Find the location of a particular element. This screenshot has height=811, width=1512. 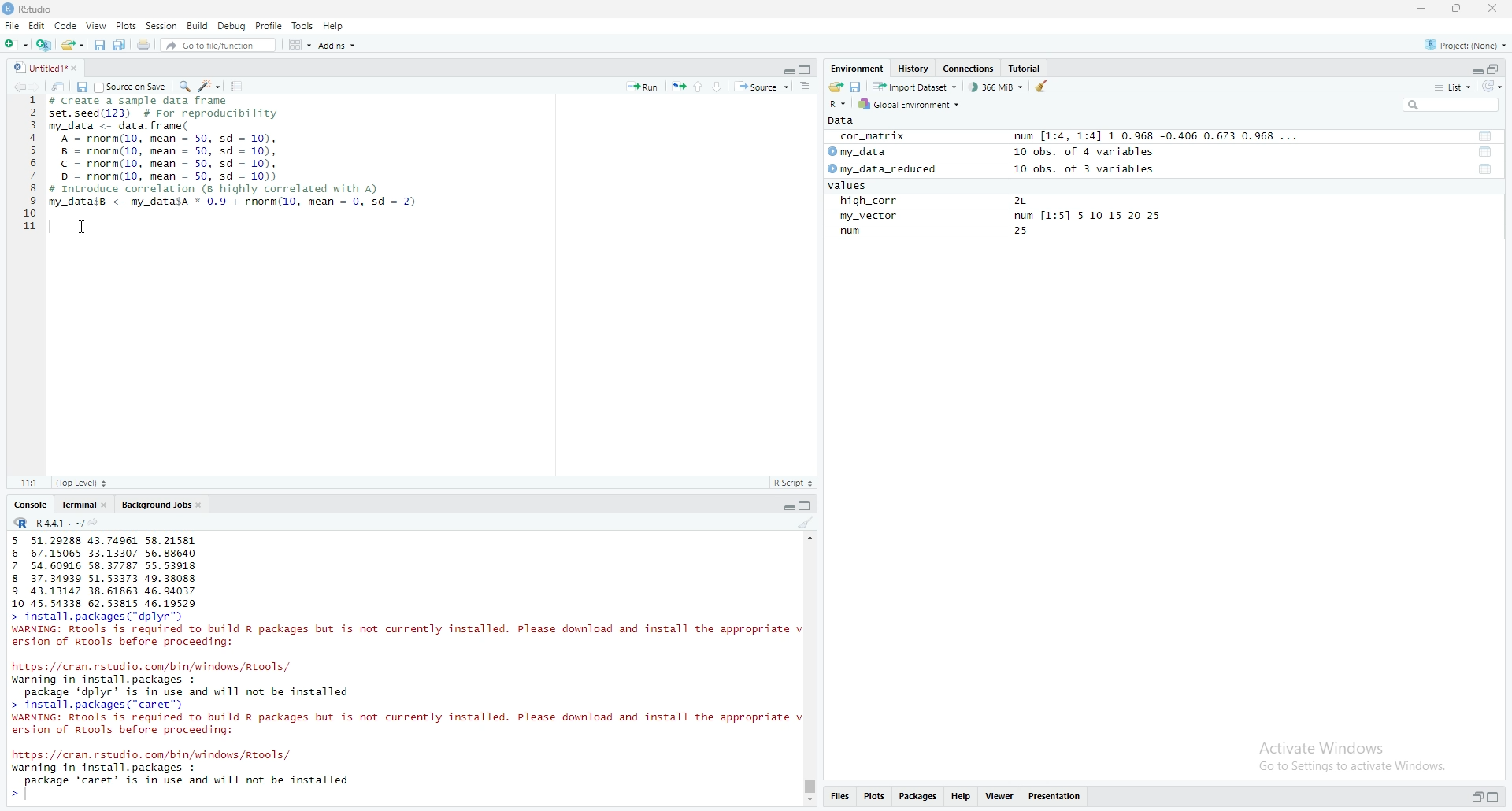

Presentations is located at coordinates (1056, 796).